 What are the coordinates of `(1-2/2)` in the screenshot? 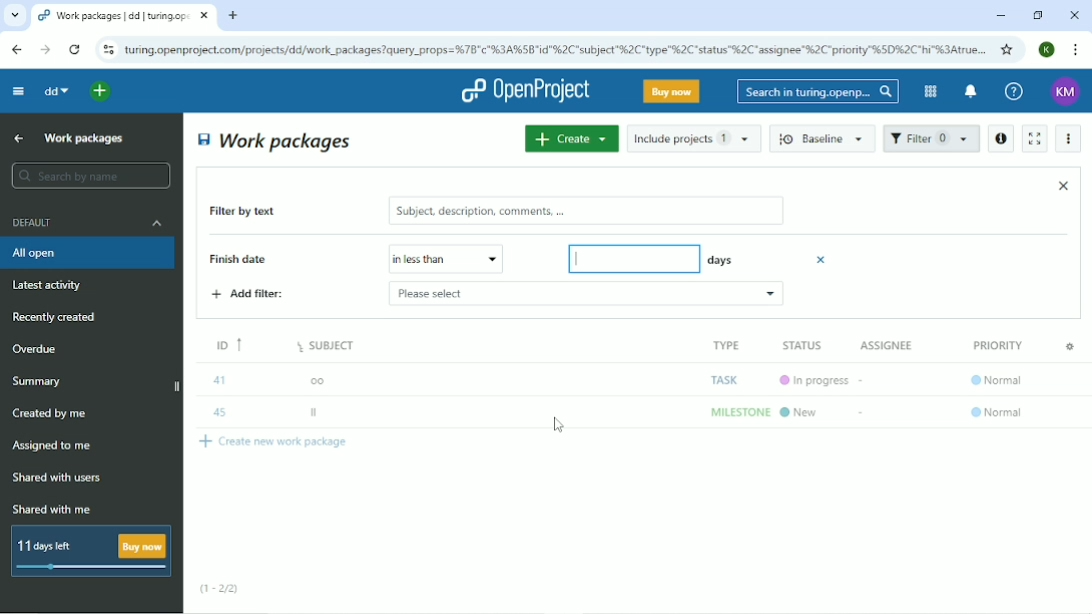 It's located at (220, 589).